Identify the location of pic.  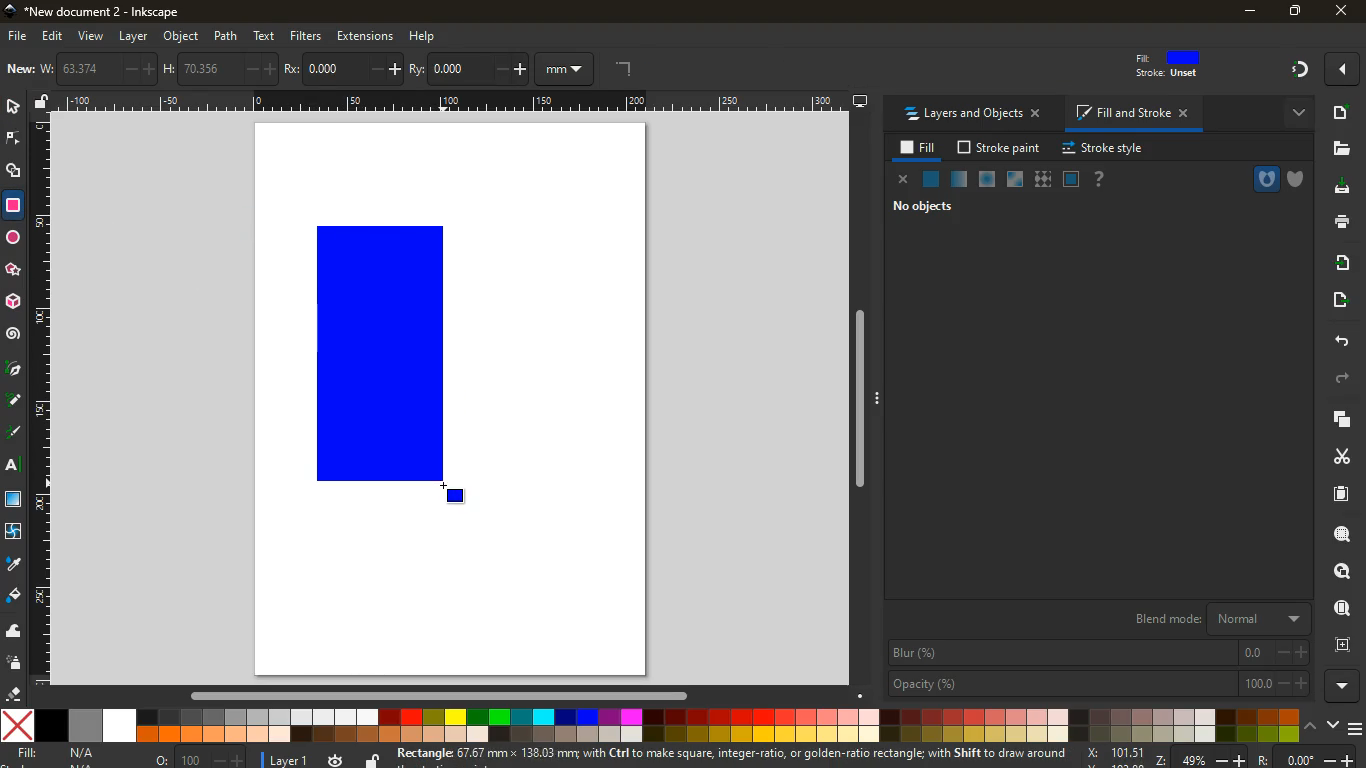
(14, 366).